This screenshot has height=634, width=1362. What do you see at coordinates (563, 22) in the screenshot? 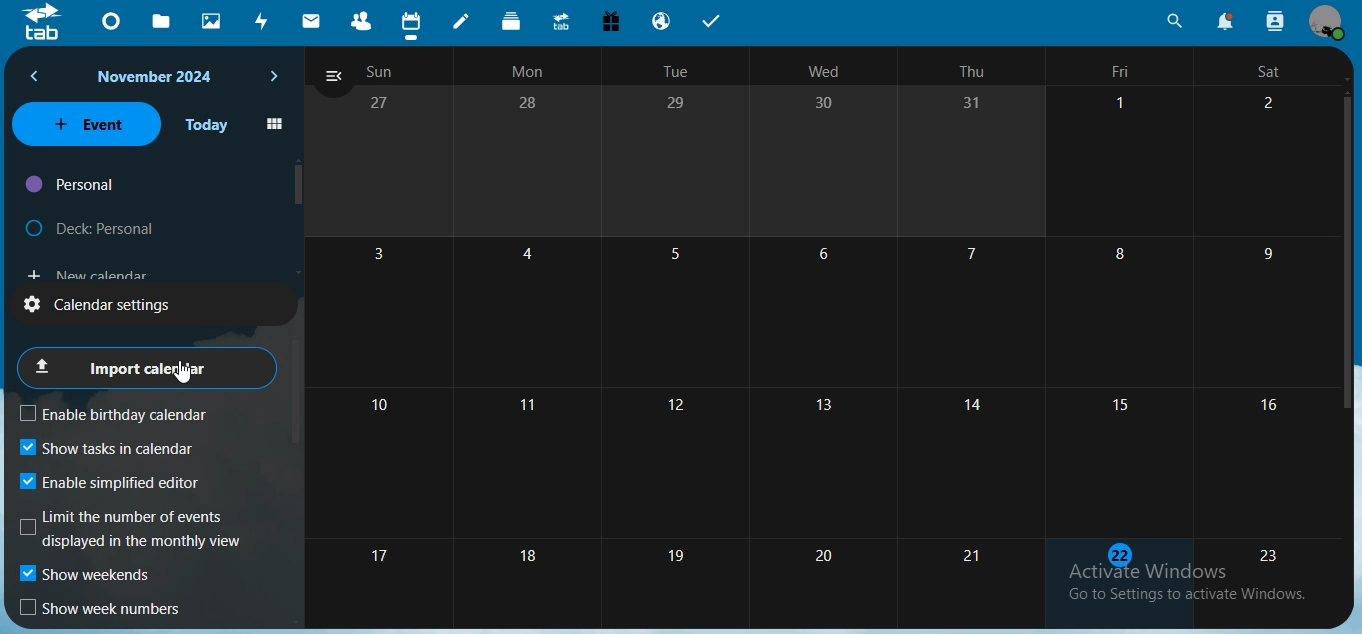
I see `upgrade` at bounding box center [563, 22].